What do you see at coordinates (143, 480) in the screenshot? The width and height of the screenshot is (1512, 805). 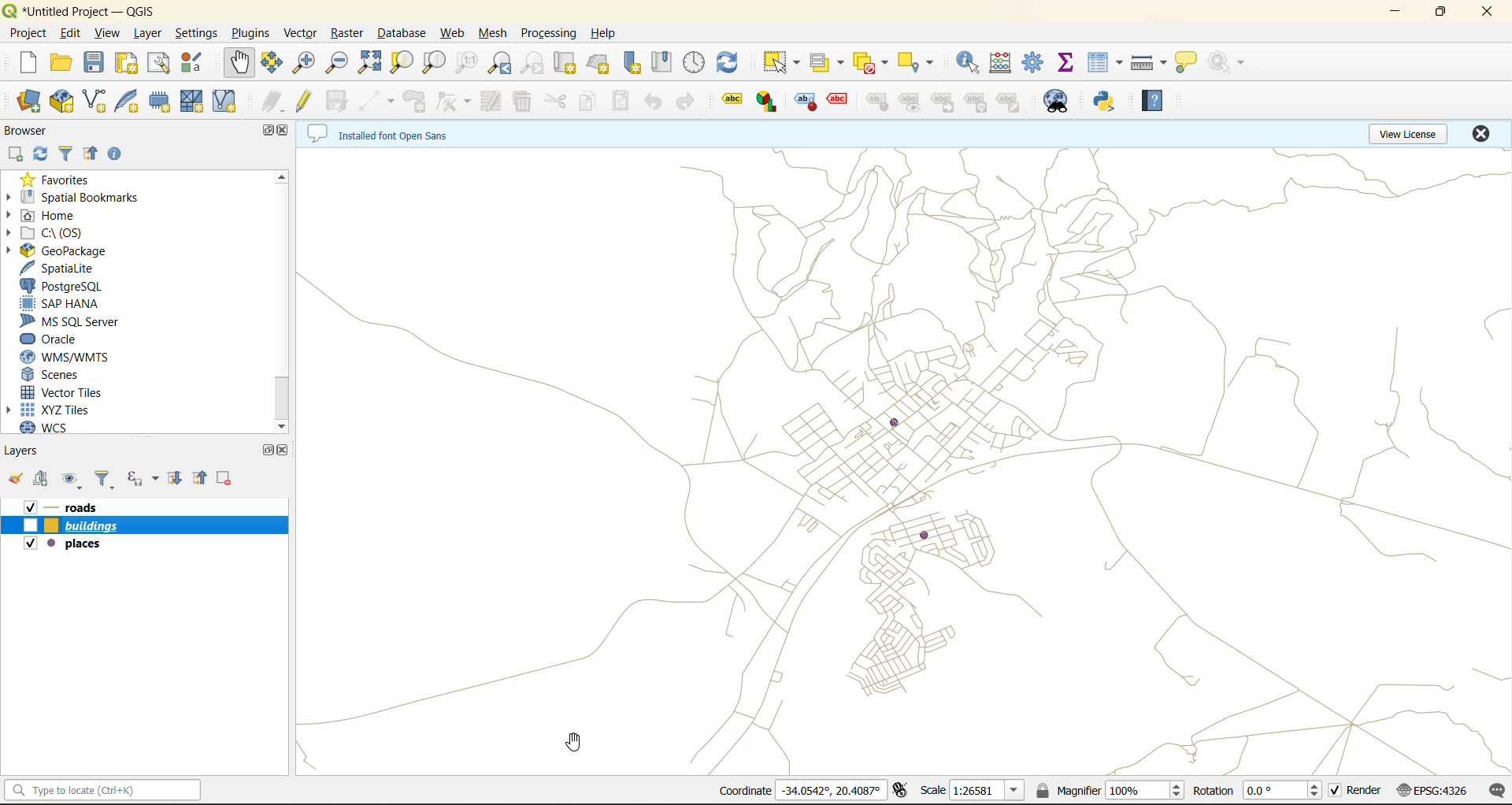 I see `filter by expression` at bounding box center [143, 480].